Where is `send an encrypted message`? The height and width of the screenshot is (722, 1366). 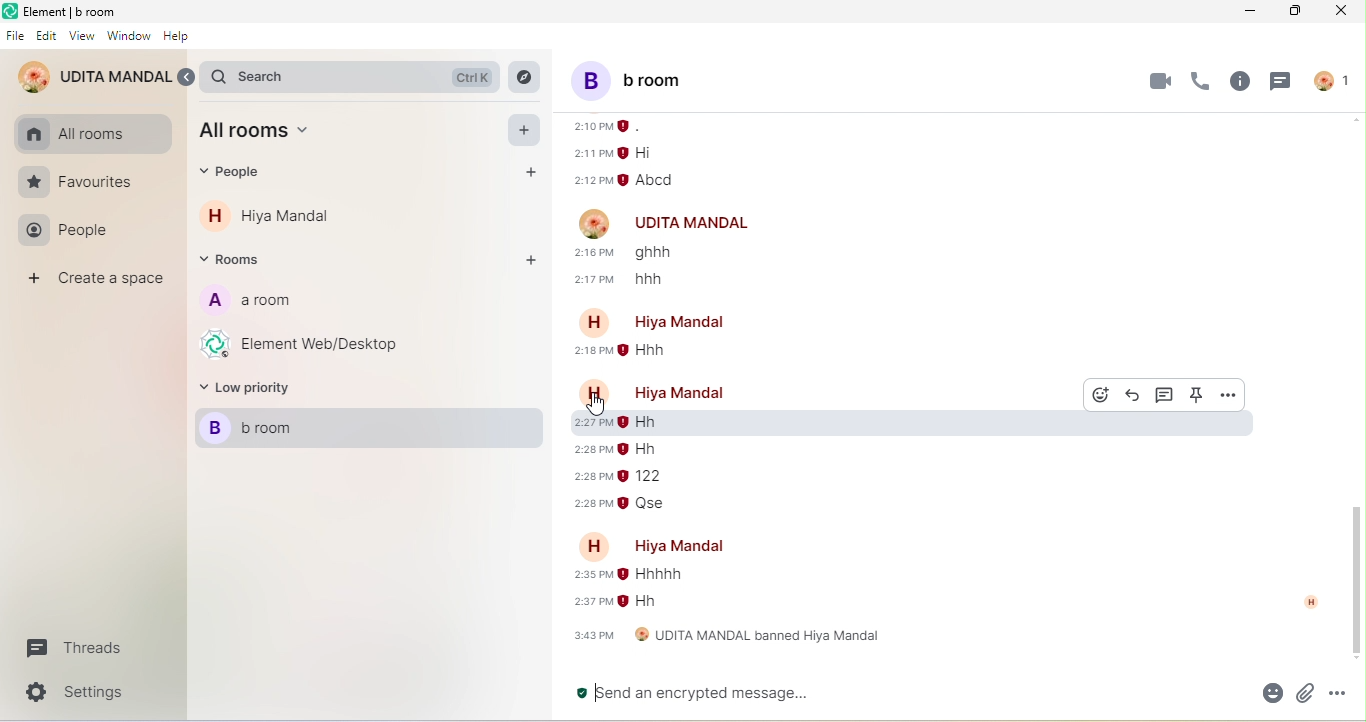
send an encrypted message is located at coordinates (744, 694).